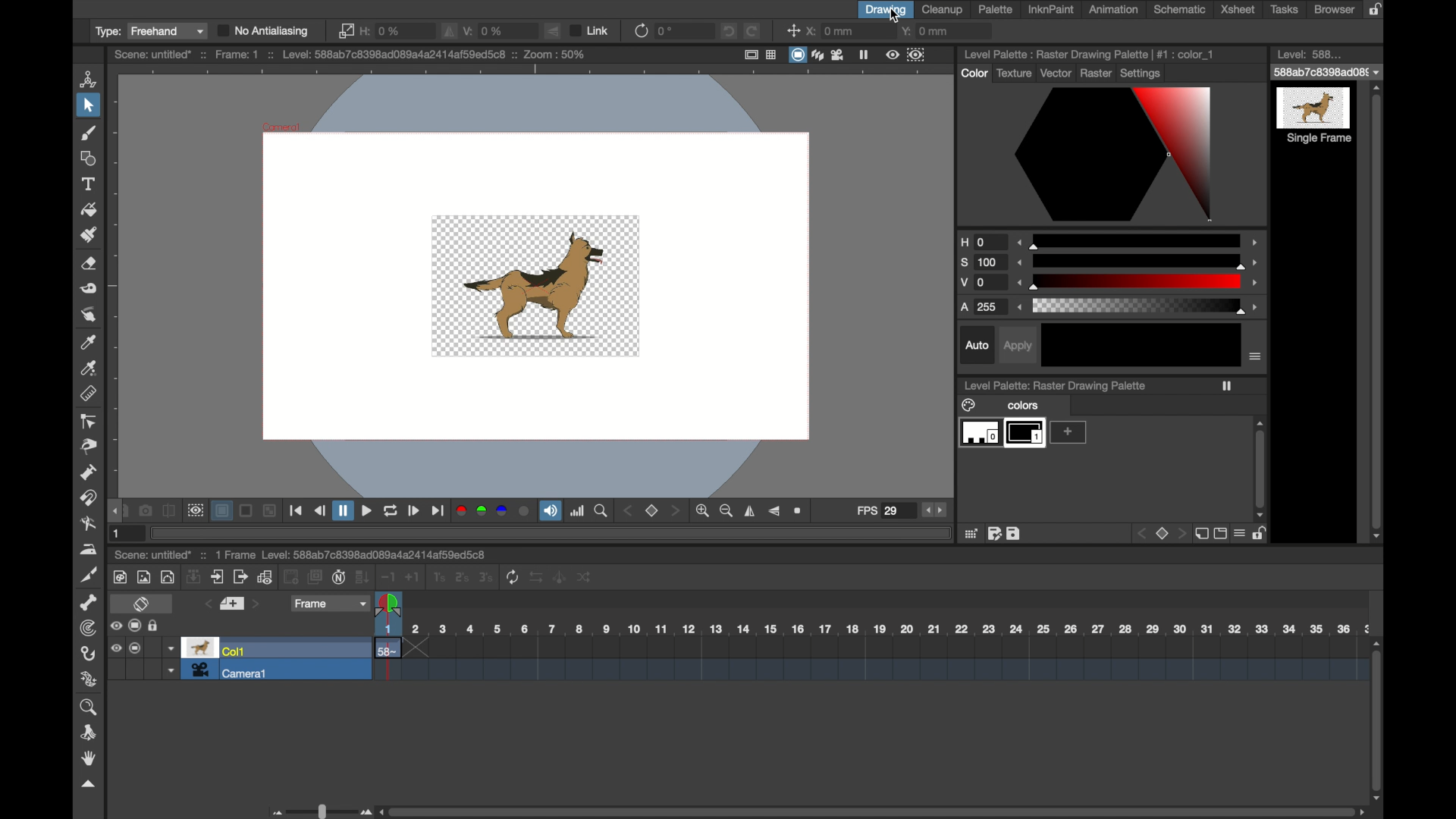 The height and width of the screenshot is (819, 1456). Describe the element at coordinates (169, 511) in the screenshot. I see `compare to snapshot` at that location.